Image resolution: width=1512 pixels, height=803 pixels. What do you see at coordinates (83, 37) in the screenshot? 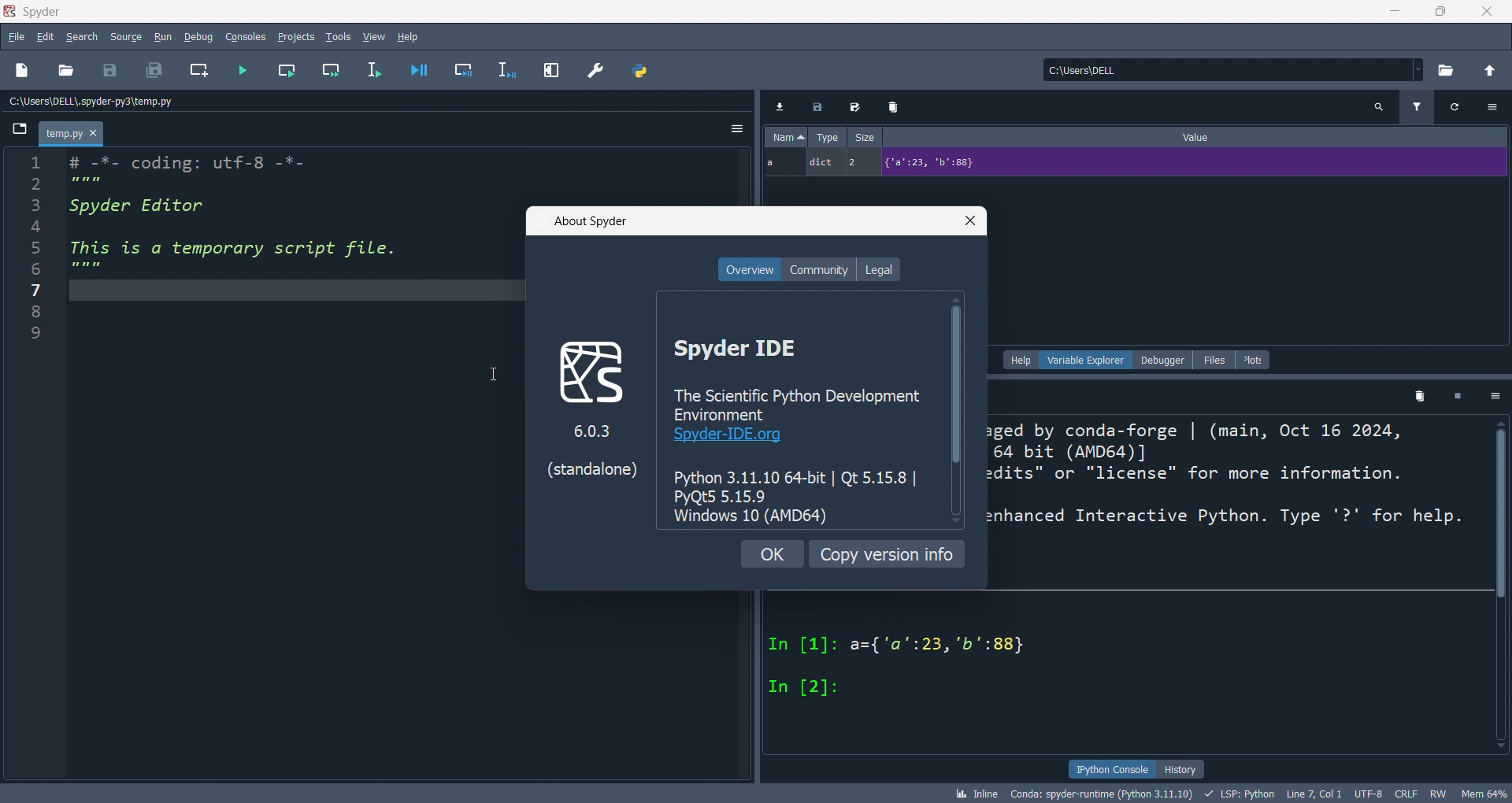
I see `search ` at bounding box center [83, 37].